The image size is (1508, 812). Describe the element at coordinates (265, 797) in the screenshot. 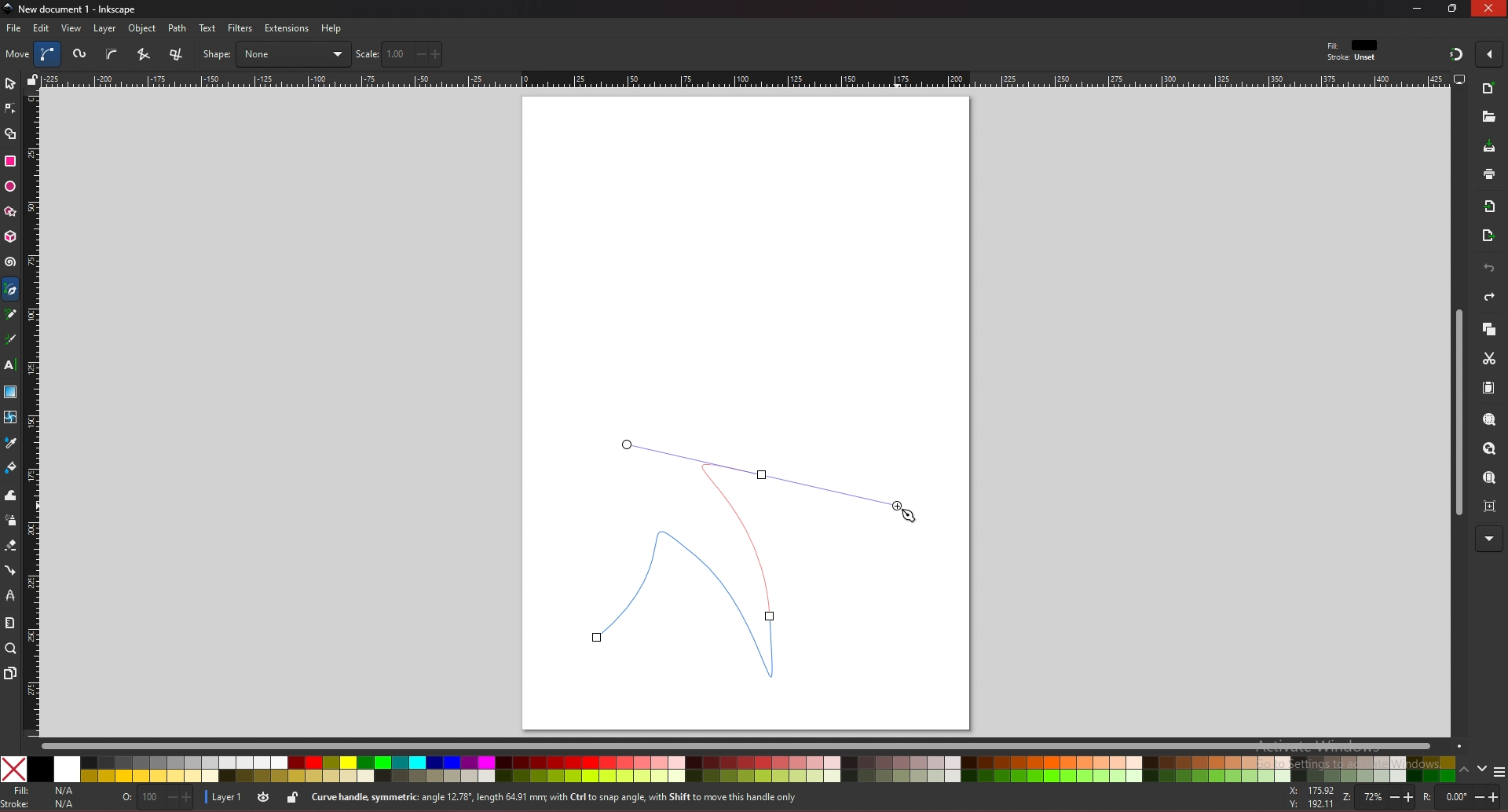

I see `toggle visibility` at that location.